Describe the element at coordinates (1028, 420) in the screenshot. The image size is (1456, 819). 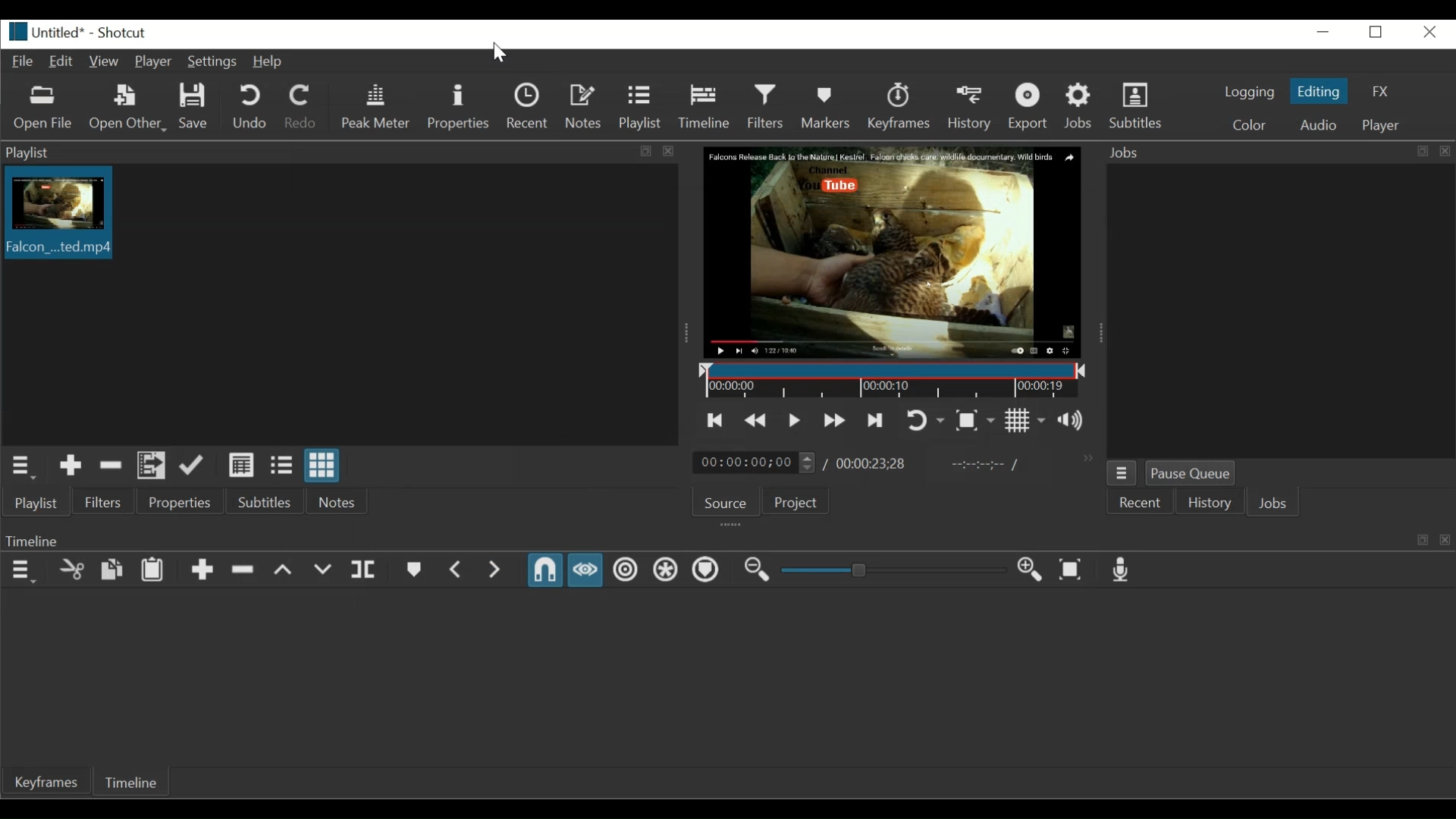
I see `Toggle grid display on the player` at that location.